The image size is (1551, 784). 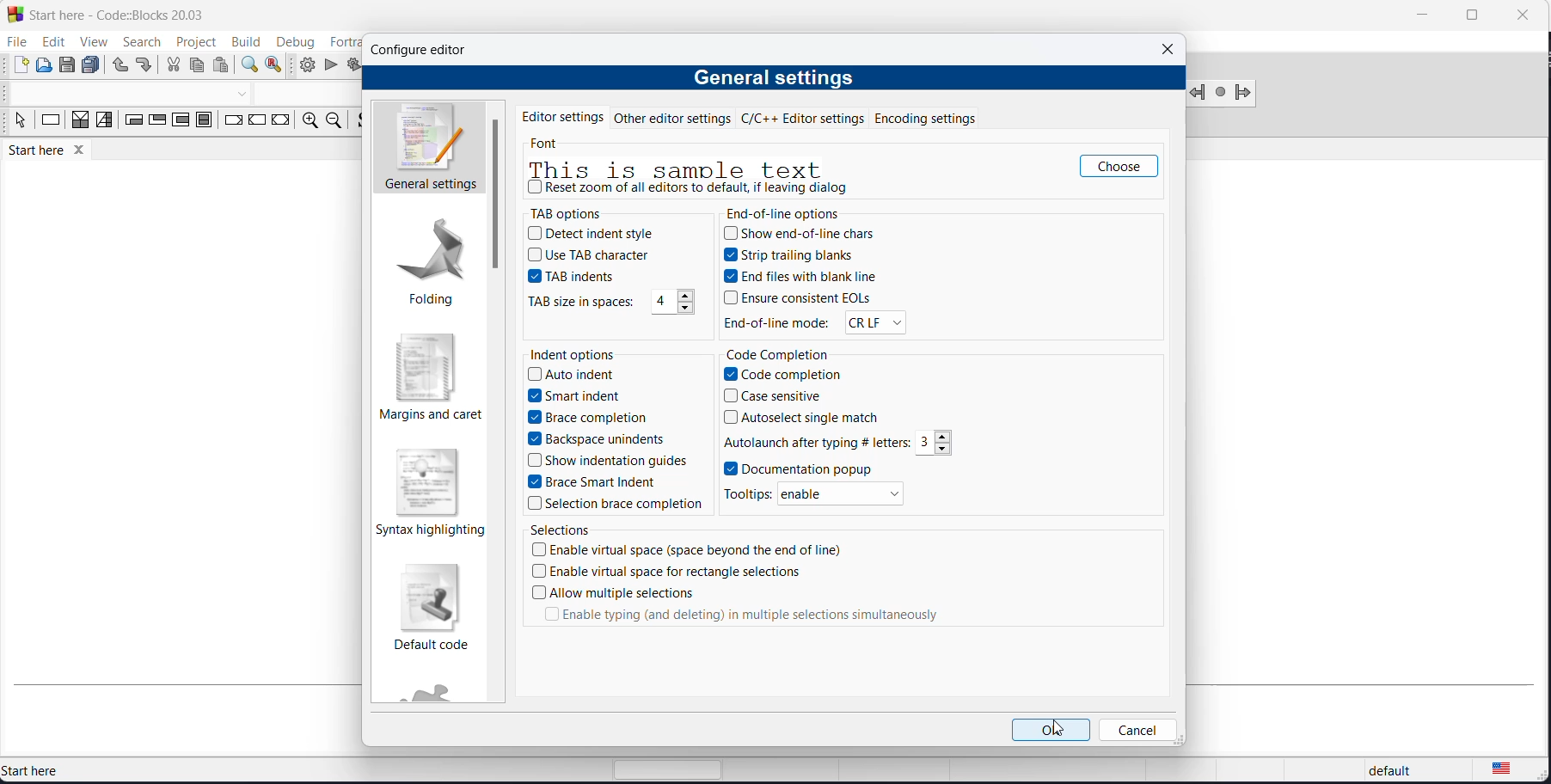 I want to click on choose, so click(x=1119, y=167).